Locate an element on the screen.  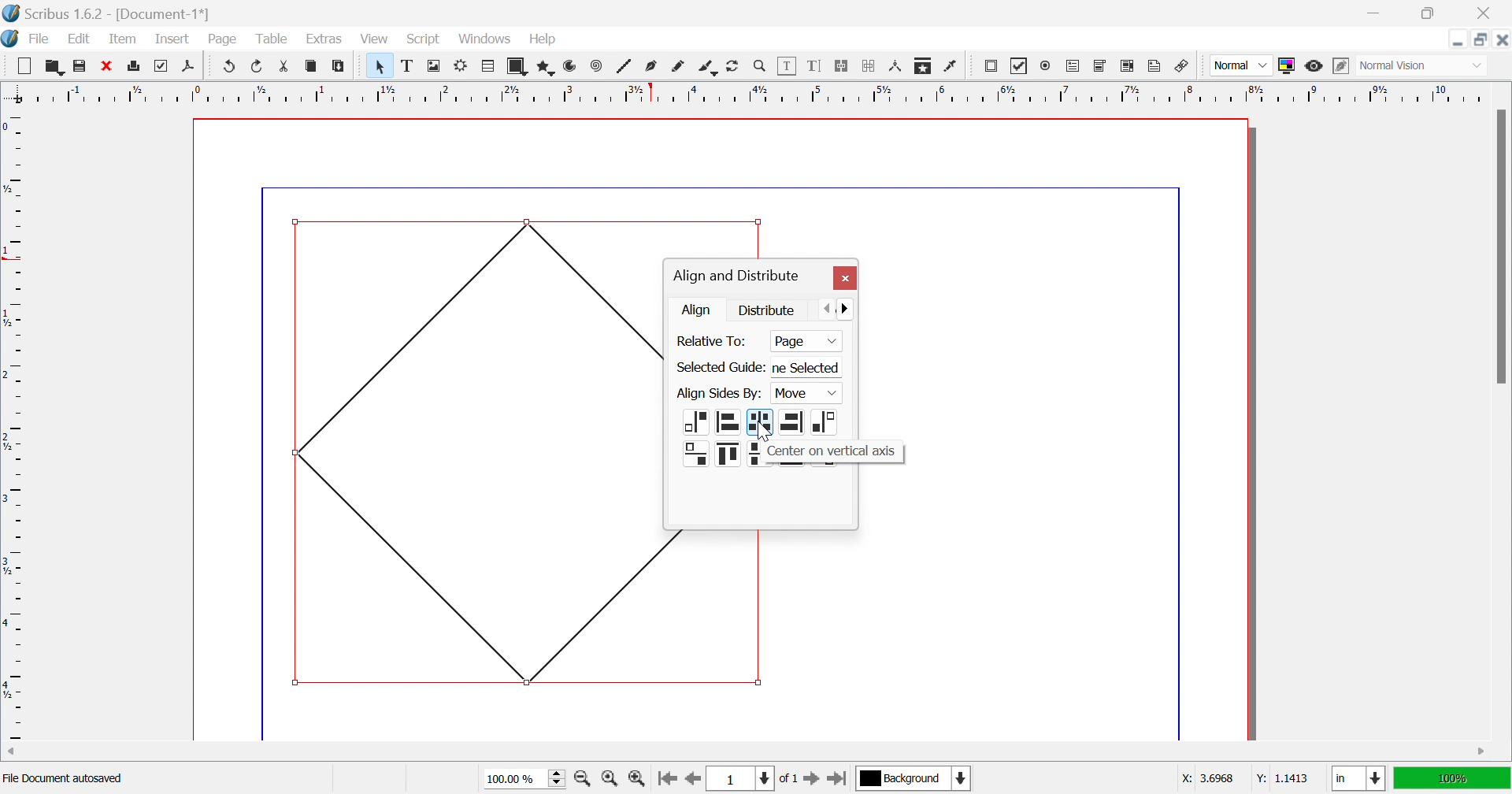
Page is located at coordinates (792, 395).